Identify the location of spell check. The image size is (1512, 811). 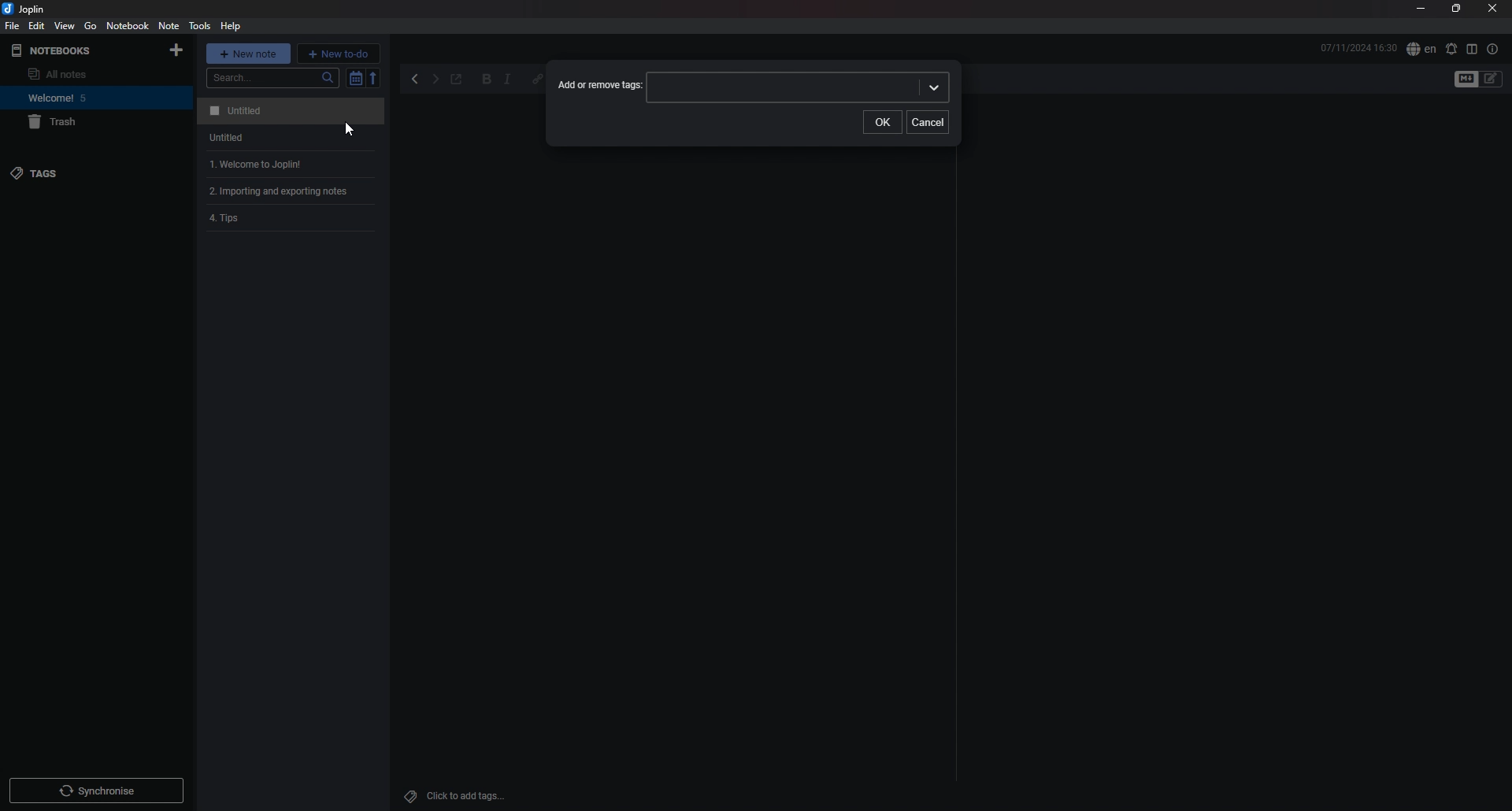
(1451, 49).